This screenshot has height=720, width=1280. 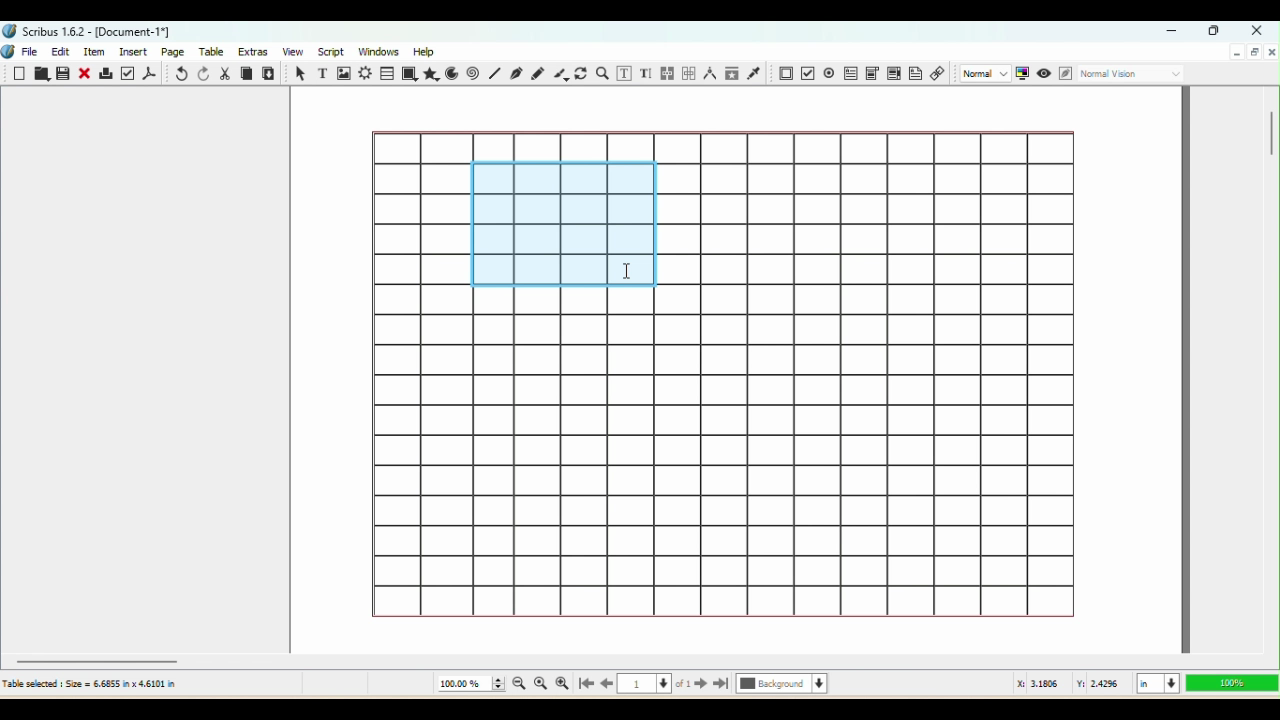 I want to click on Paste, so click(x=270, y=73).